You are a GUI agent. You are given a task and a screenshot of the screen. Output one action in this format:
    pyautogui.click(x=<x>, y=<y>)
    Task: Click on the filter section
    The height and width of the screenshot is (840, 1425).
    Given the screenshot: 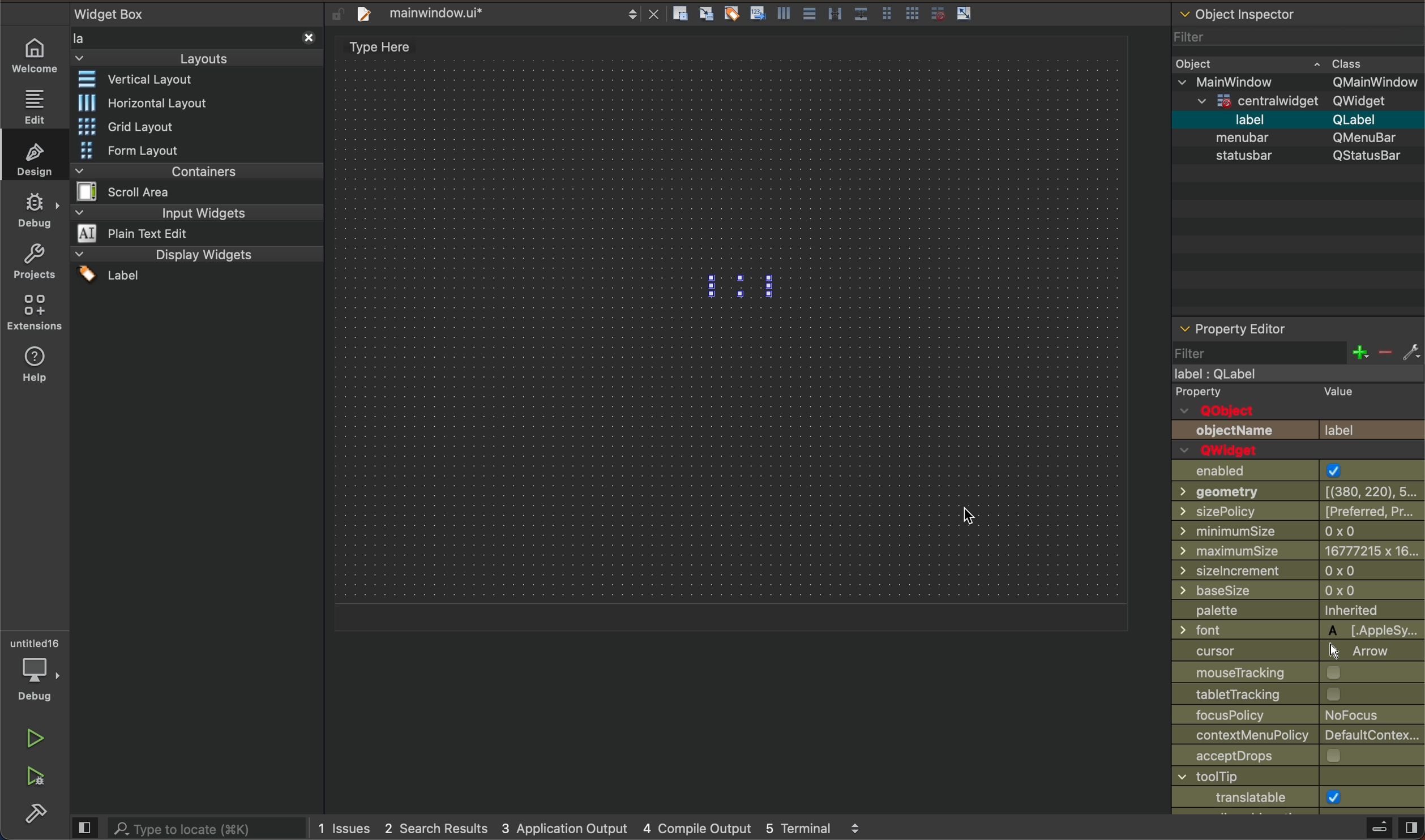 What is the action you would take?
    pyautogui.click(x=1295, y=351)
    